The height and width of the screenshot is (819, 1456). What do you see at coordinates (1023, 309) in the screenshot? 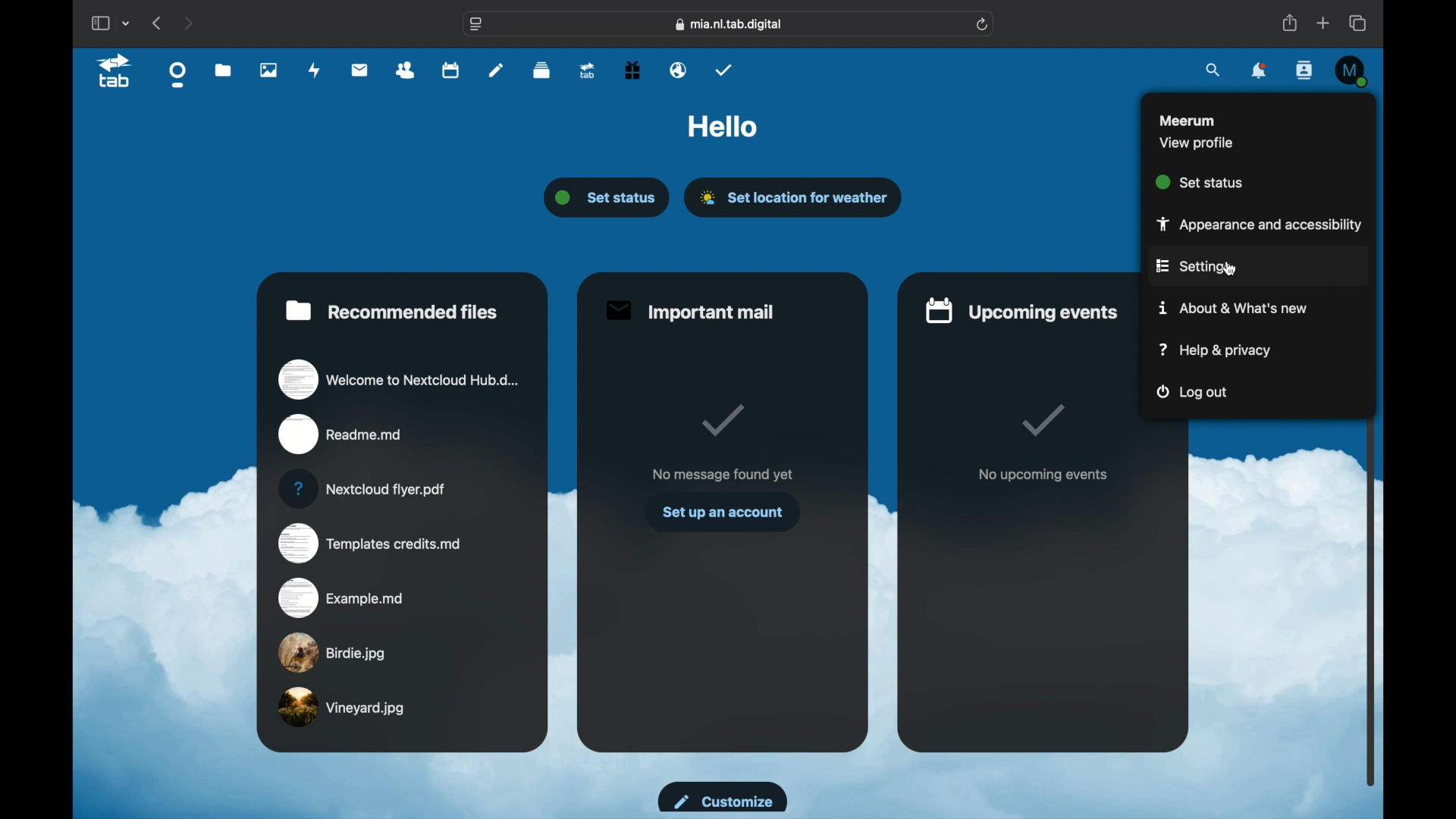
I see `upcoming events` at bounding box center [1023, 309].